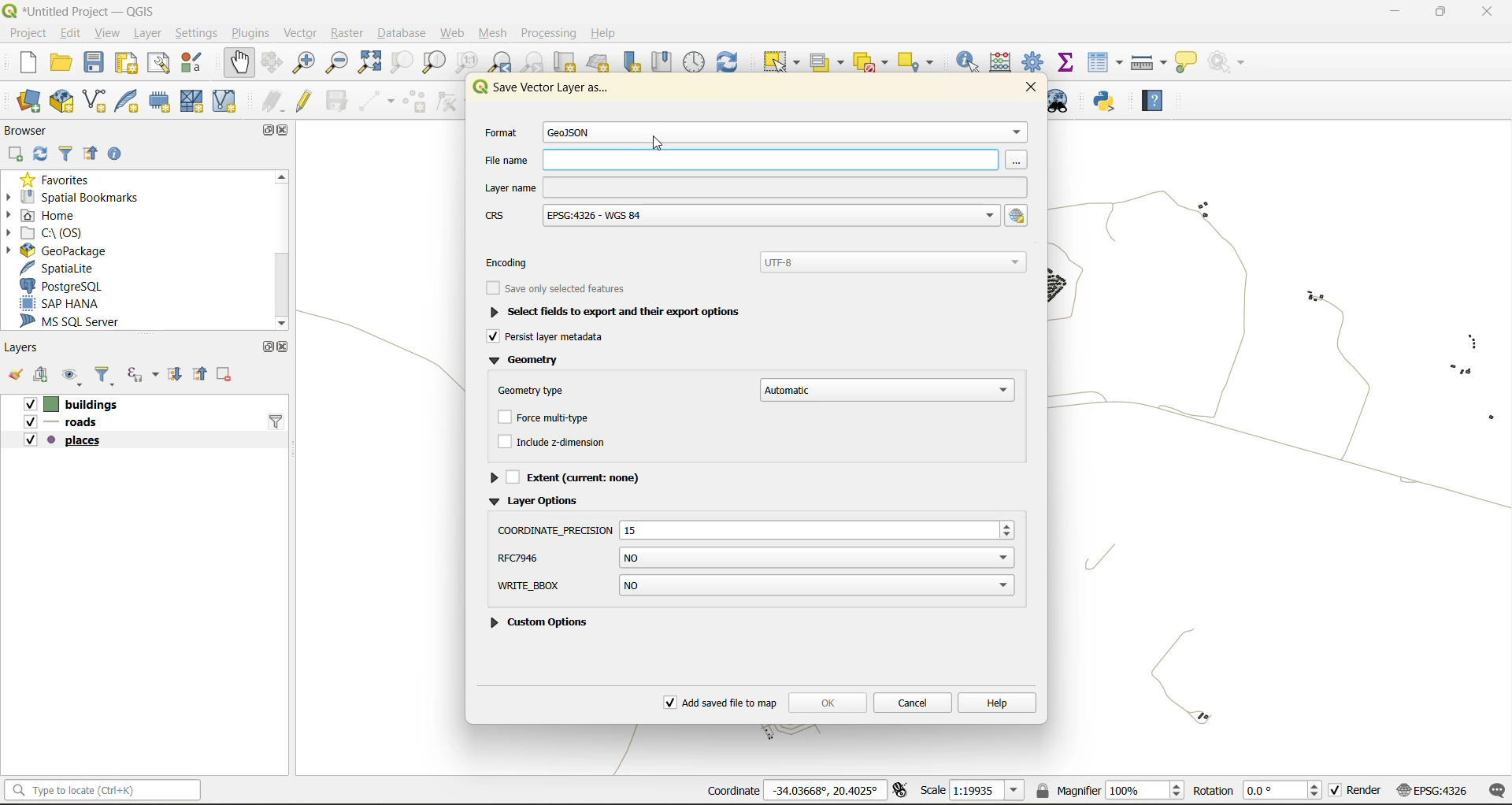 This screenshot has height=805, width=1512. What do you see at coordinates (198, 65) in the screenshot?
I see `style manager` at bounding box center [198, 65].